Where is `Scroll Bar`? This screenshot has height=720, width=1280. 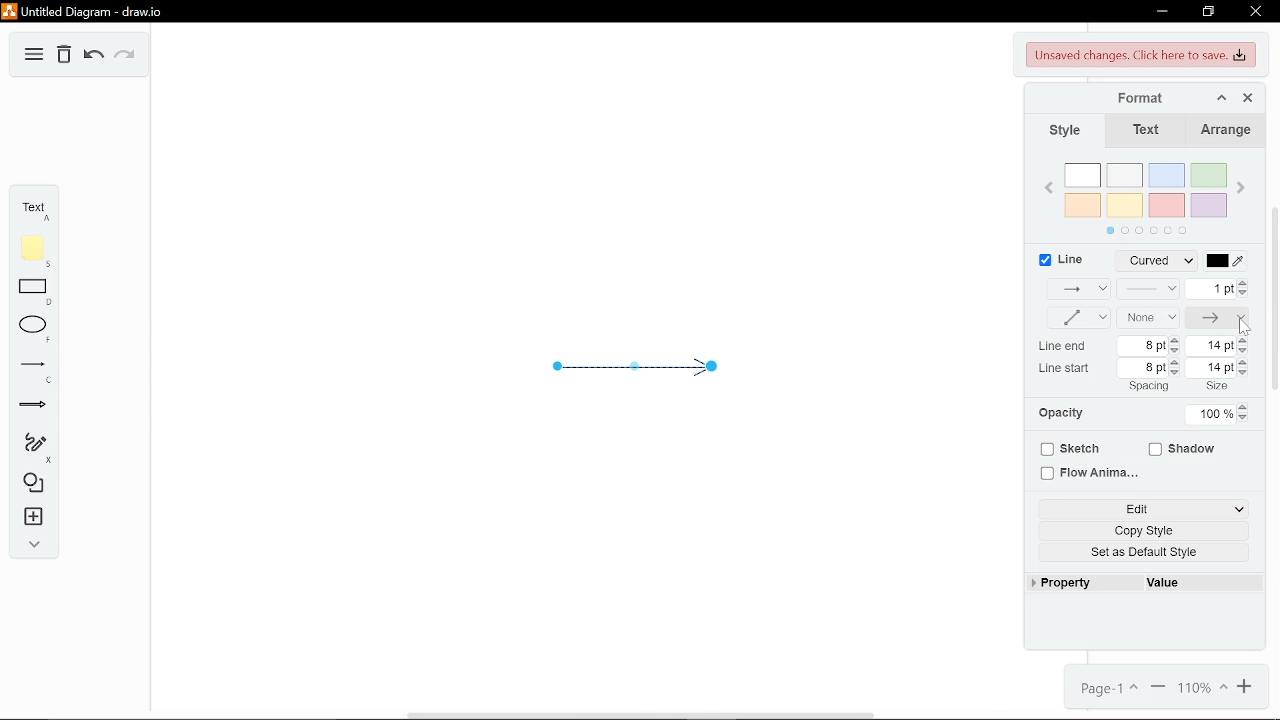
Scroll Bar is located at coordinates (643, 710).